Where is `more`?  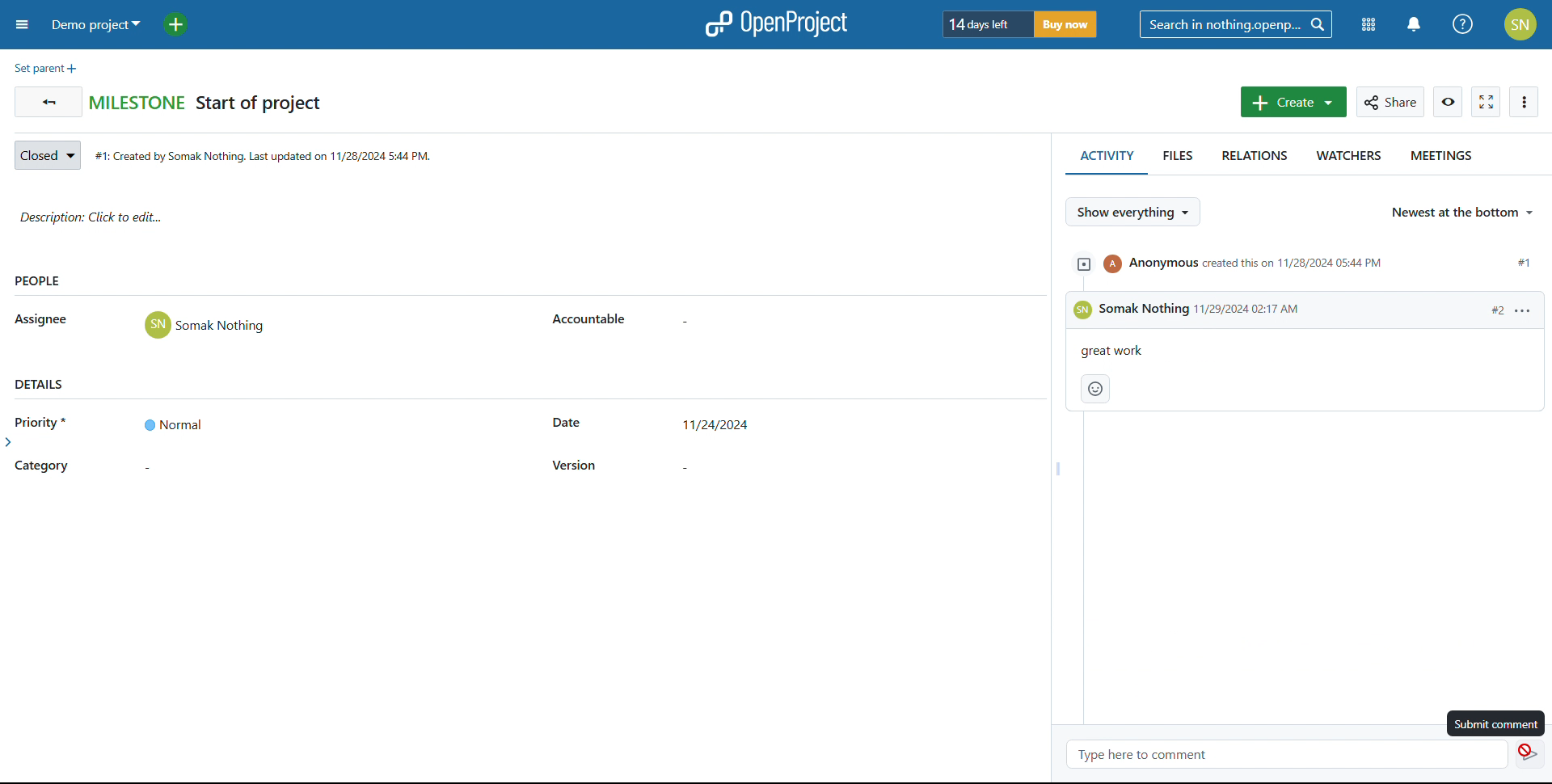
more is located at coordinates (1525, 103).